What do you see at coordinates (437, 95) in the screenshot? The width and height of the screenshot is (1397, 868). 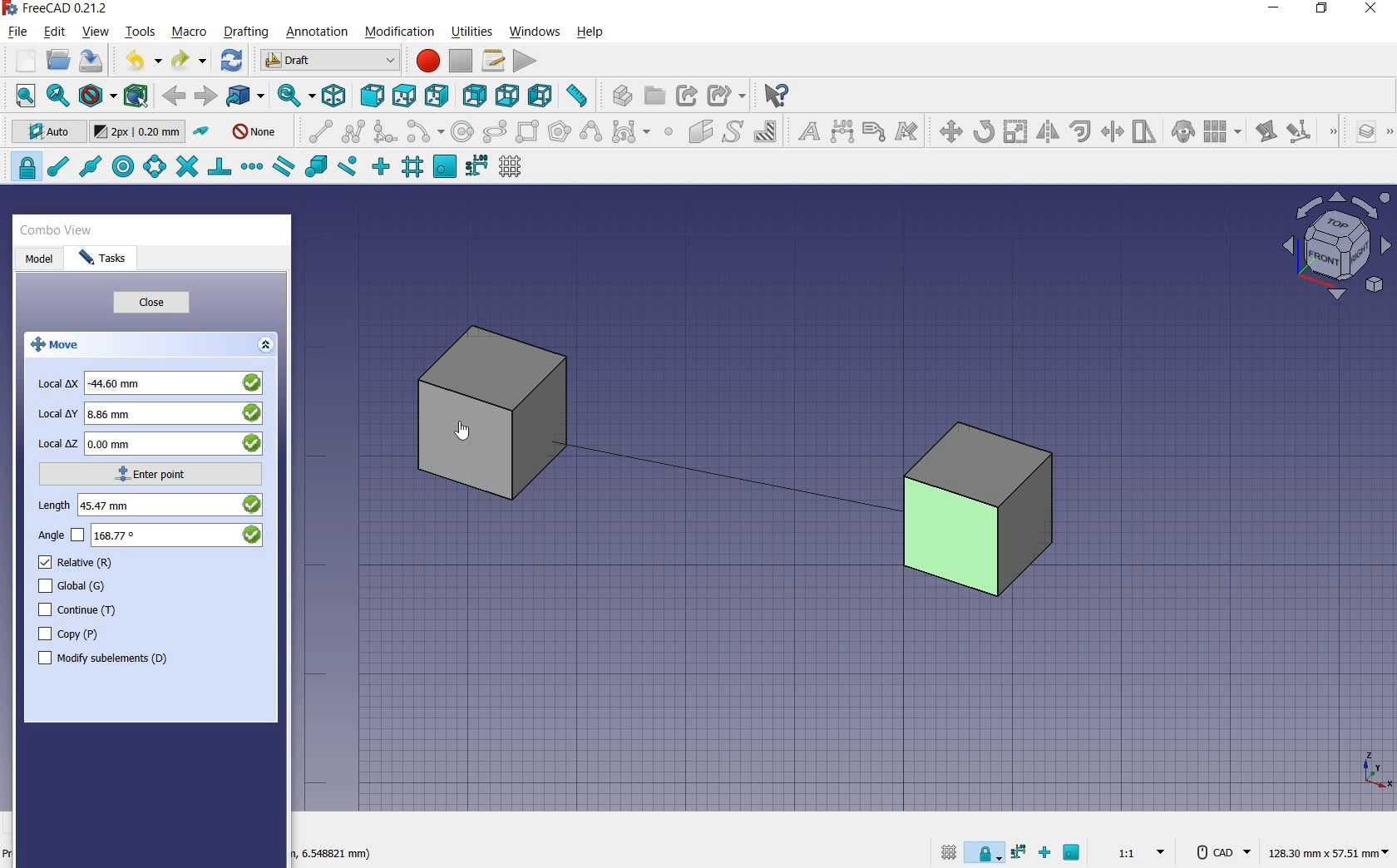 I see `right` at bounding box center [437, 95].